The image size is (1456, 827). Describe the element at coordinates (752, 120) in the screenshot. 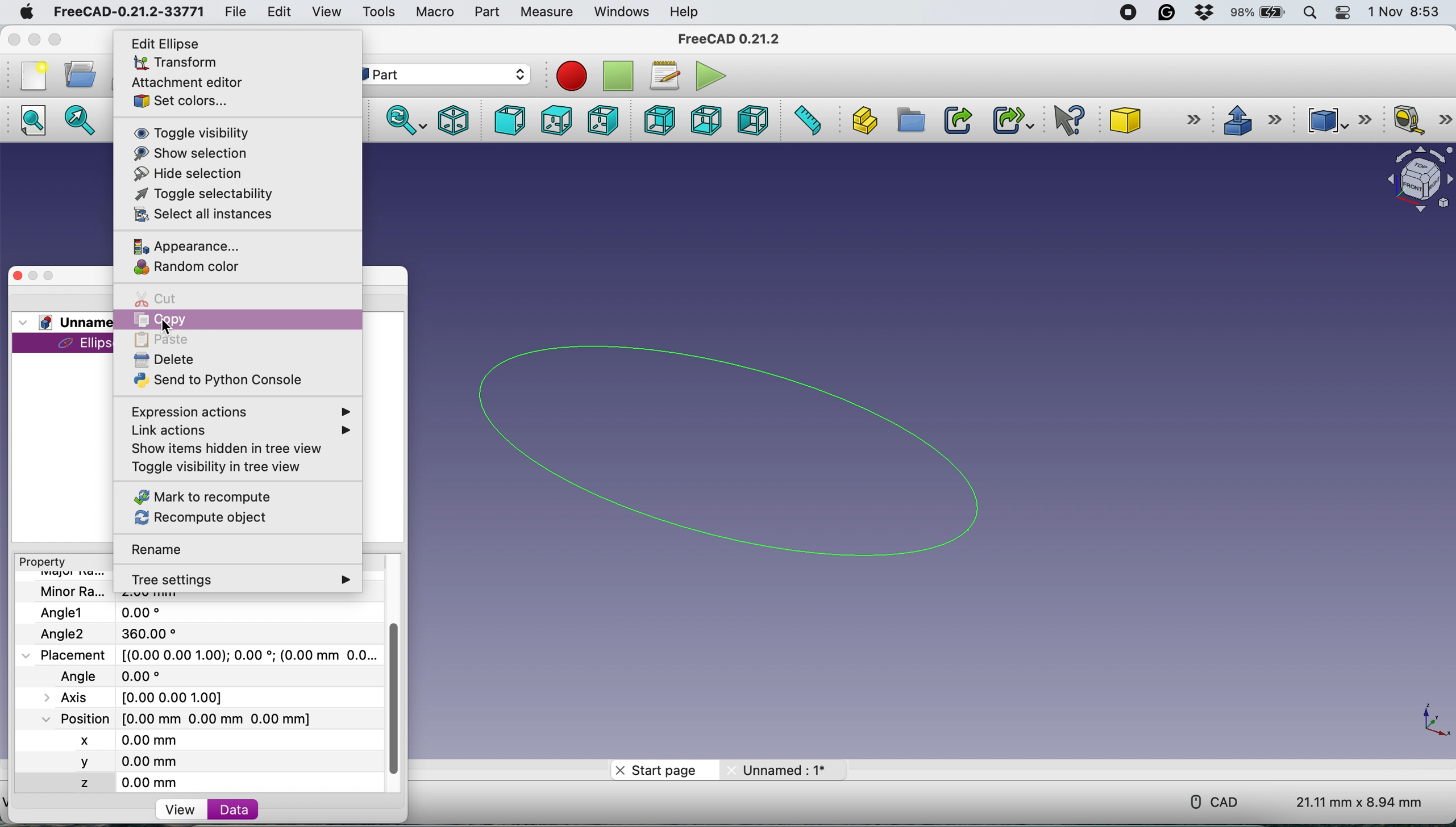

I see `left` at that location.